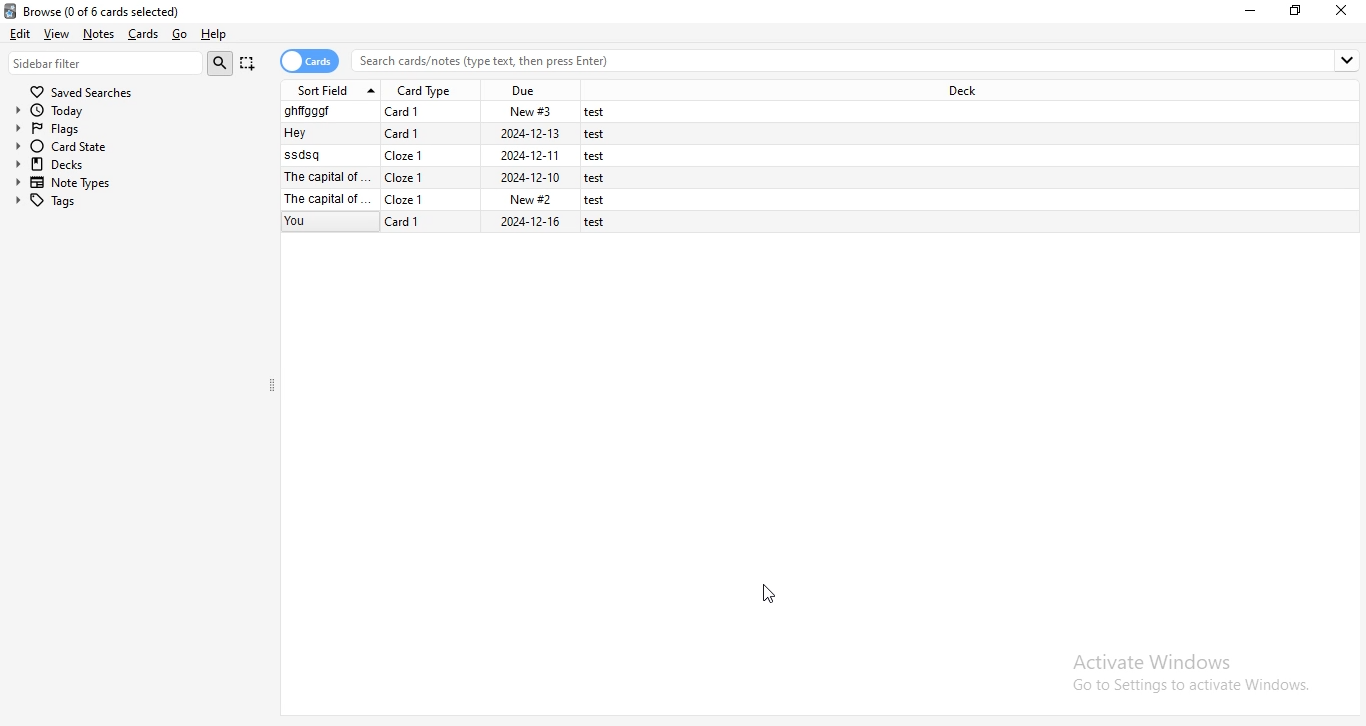 This screenshot has height=726, width=1366. I want to click on edit, so click(21, 35).